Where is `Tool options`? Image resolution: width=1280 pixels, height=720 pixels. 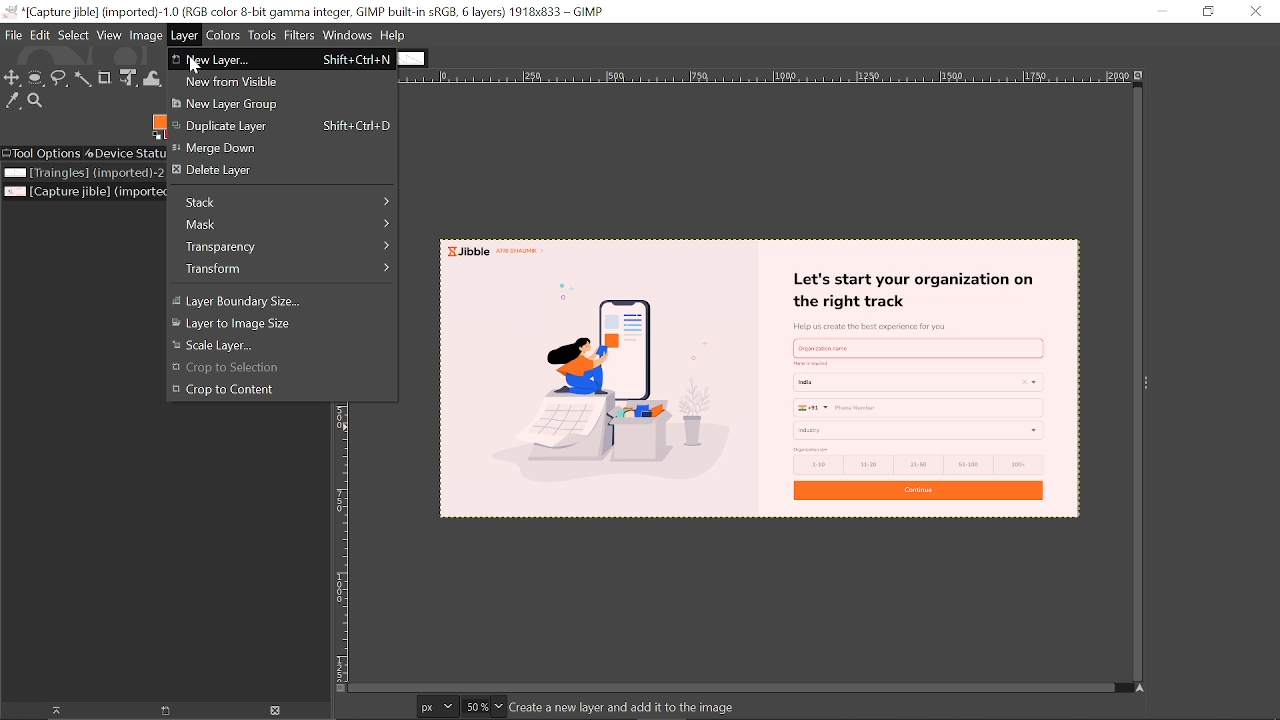
Tool options is located at coordinates (41, 154).